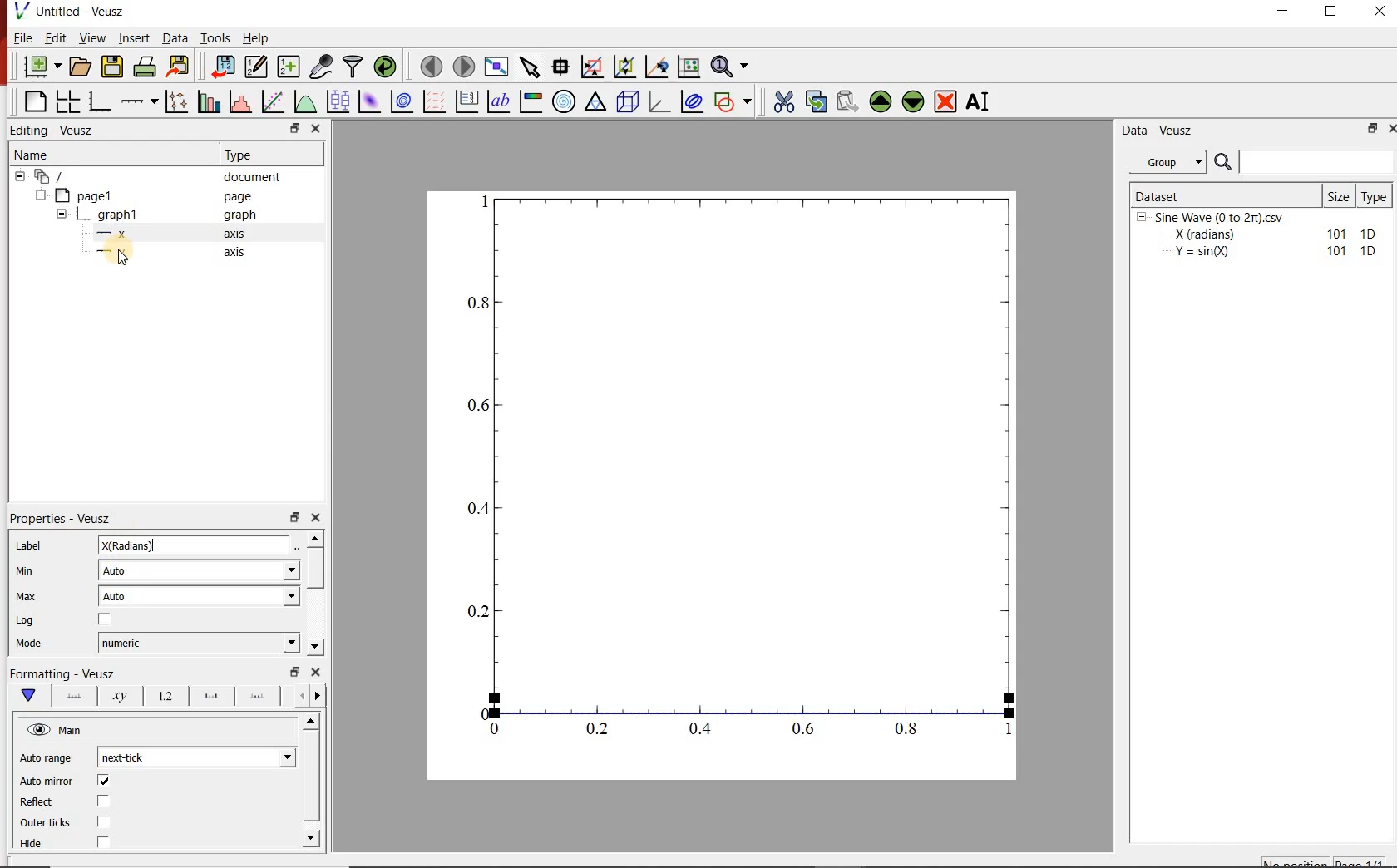  Describe the element at coordinates (195, 545) in the screenshot. I see `Textbox` at that location.